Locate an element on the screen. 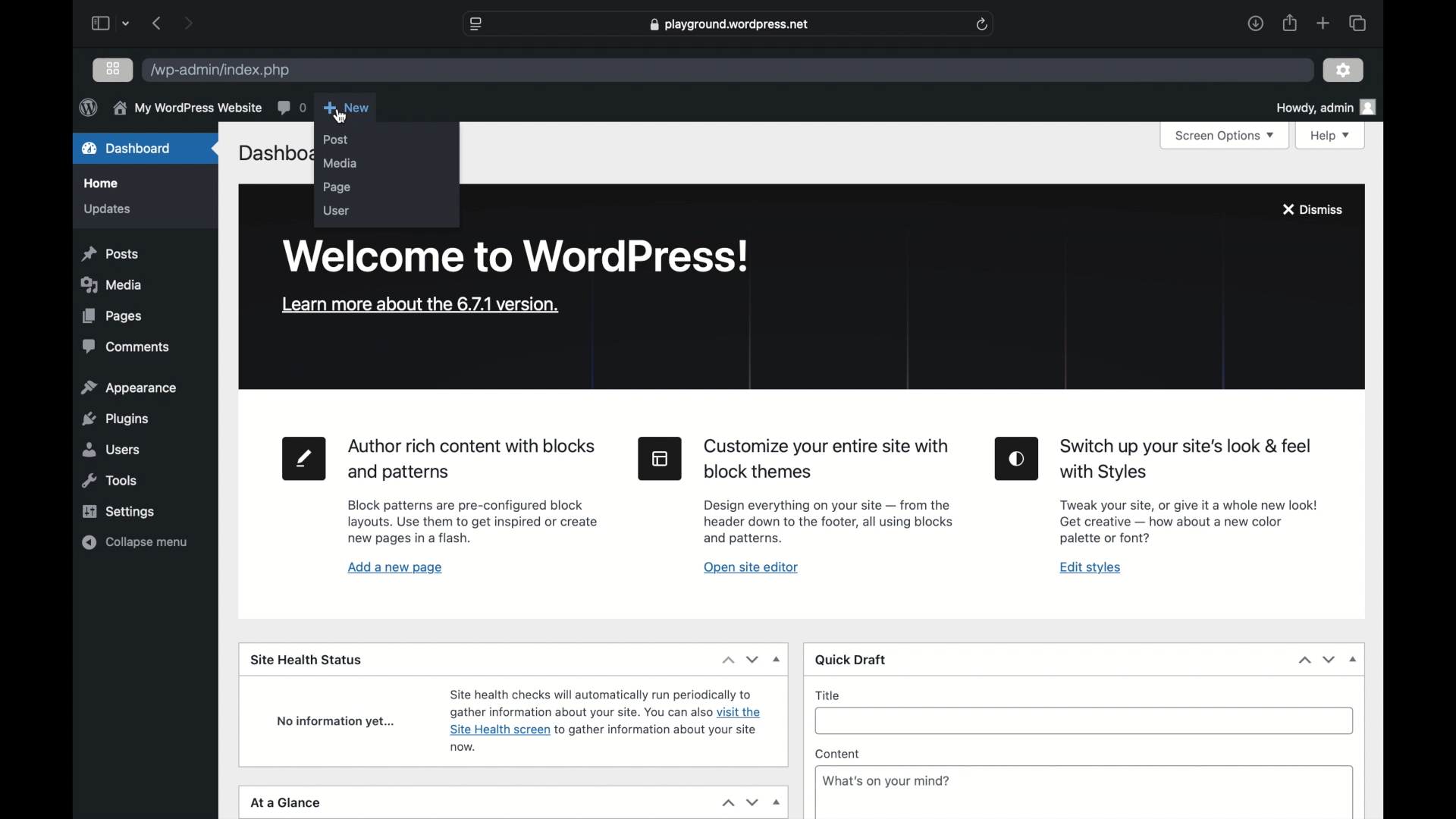 The height and width of the screenshot is (819, 1456). Welcome to wordpress is located at coordinates (518, 256).